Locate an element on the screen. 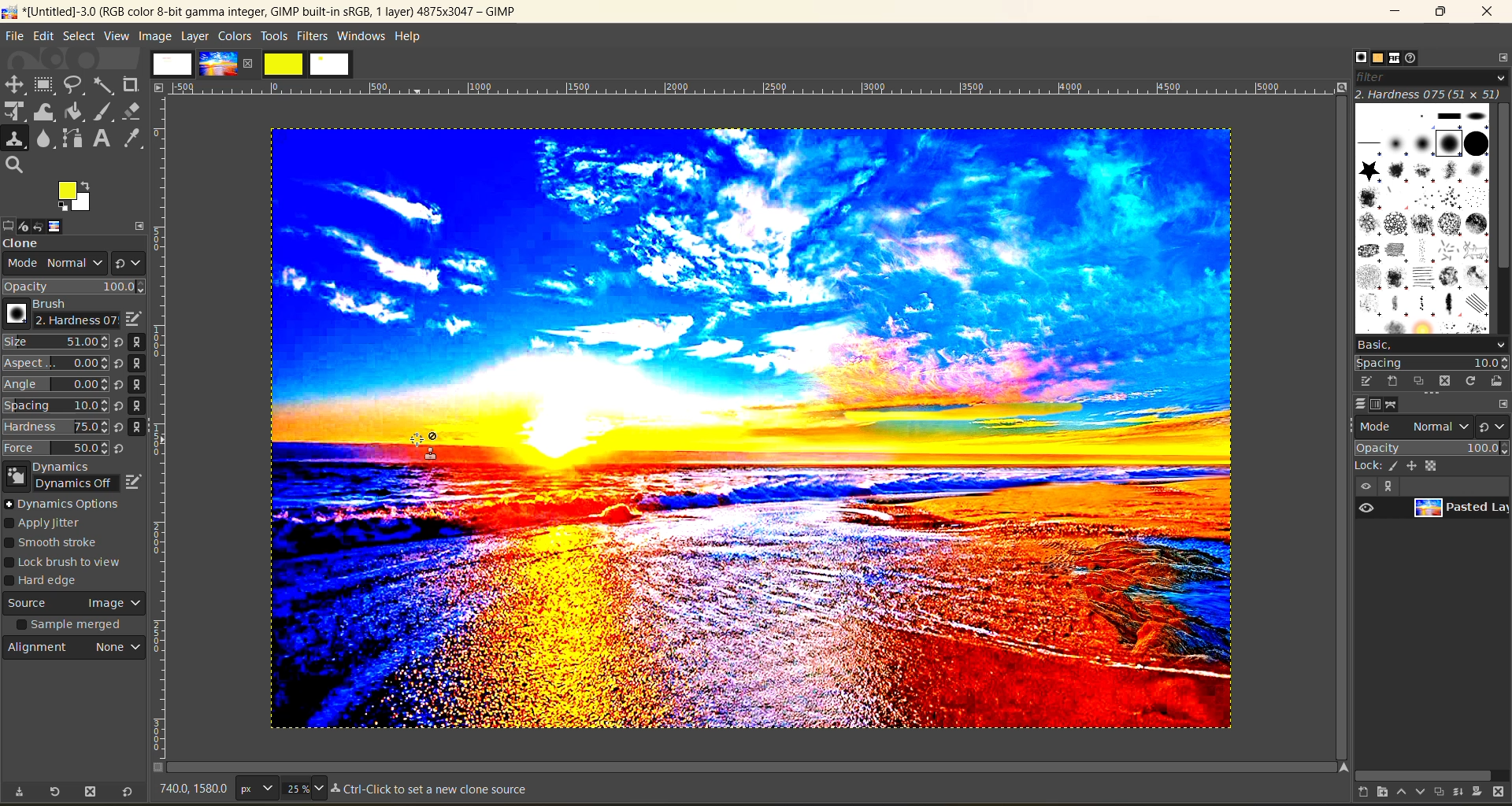  mode is located at coordinates (50, 265).